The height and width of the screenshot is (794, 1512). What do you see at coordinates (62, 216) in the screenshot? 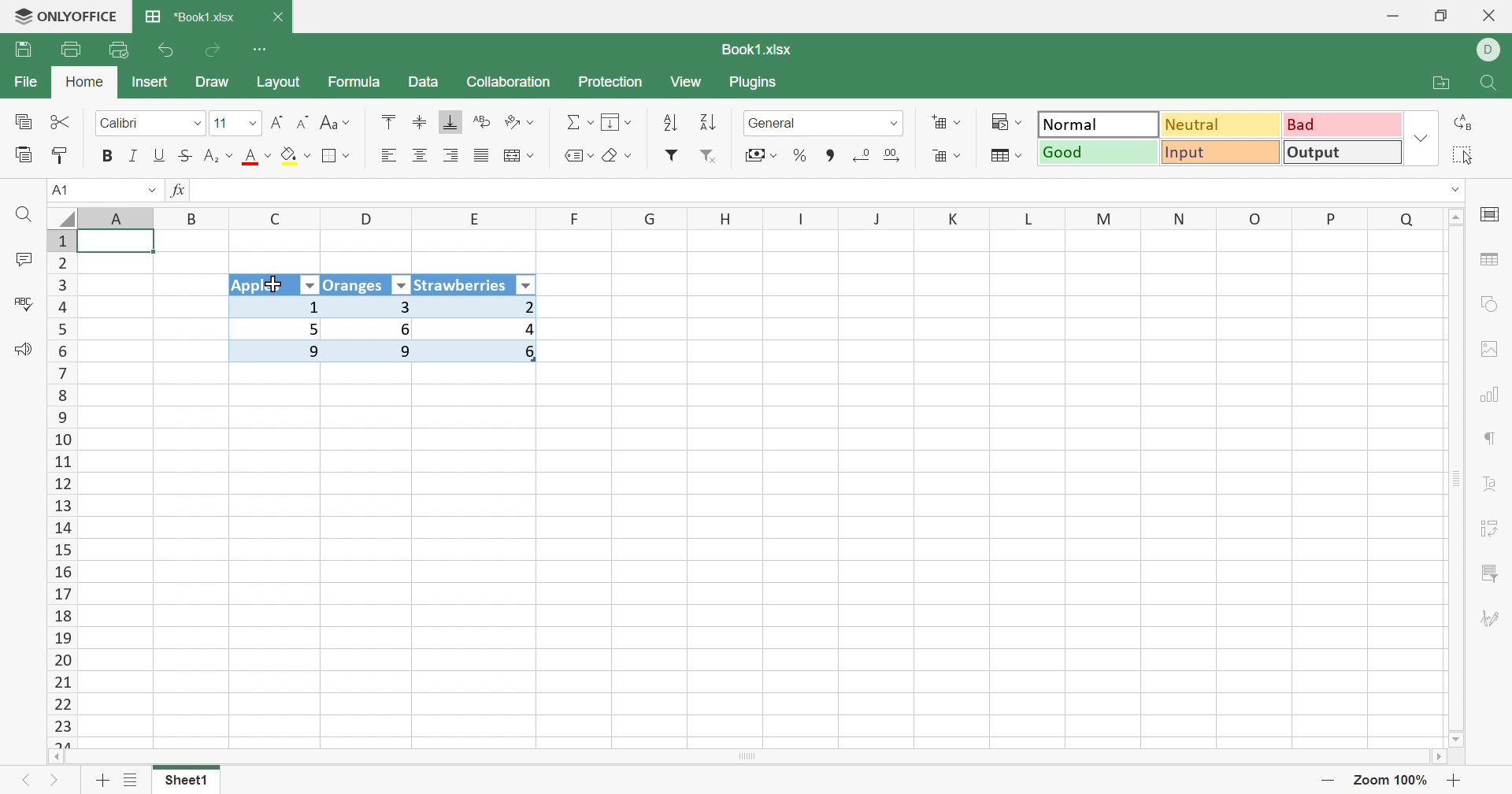
I see `Select all` at bounding box center [62, 216].